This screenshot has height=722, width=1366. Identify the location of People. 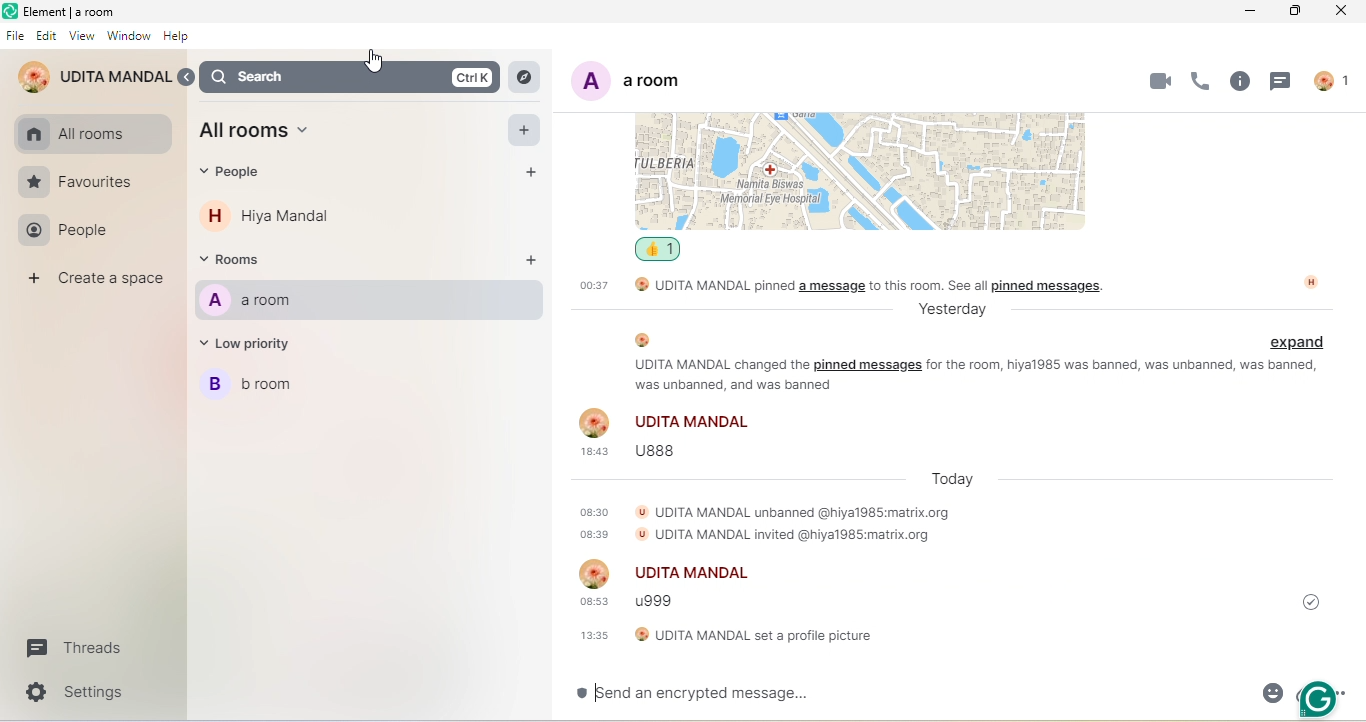
(69, 231).